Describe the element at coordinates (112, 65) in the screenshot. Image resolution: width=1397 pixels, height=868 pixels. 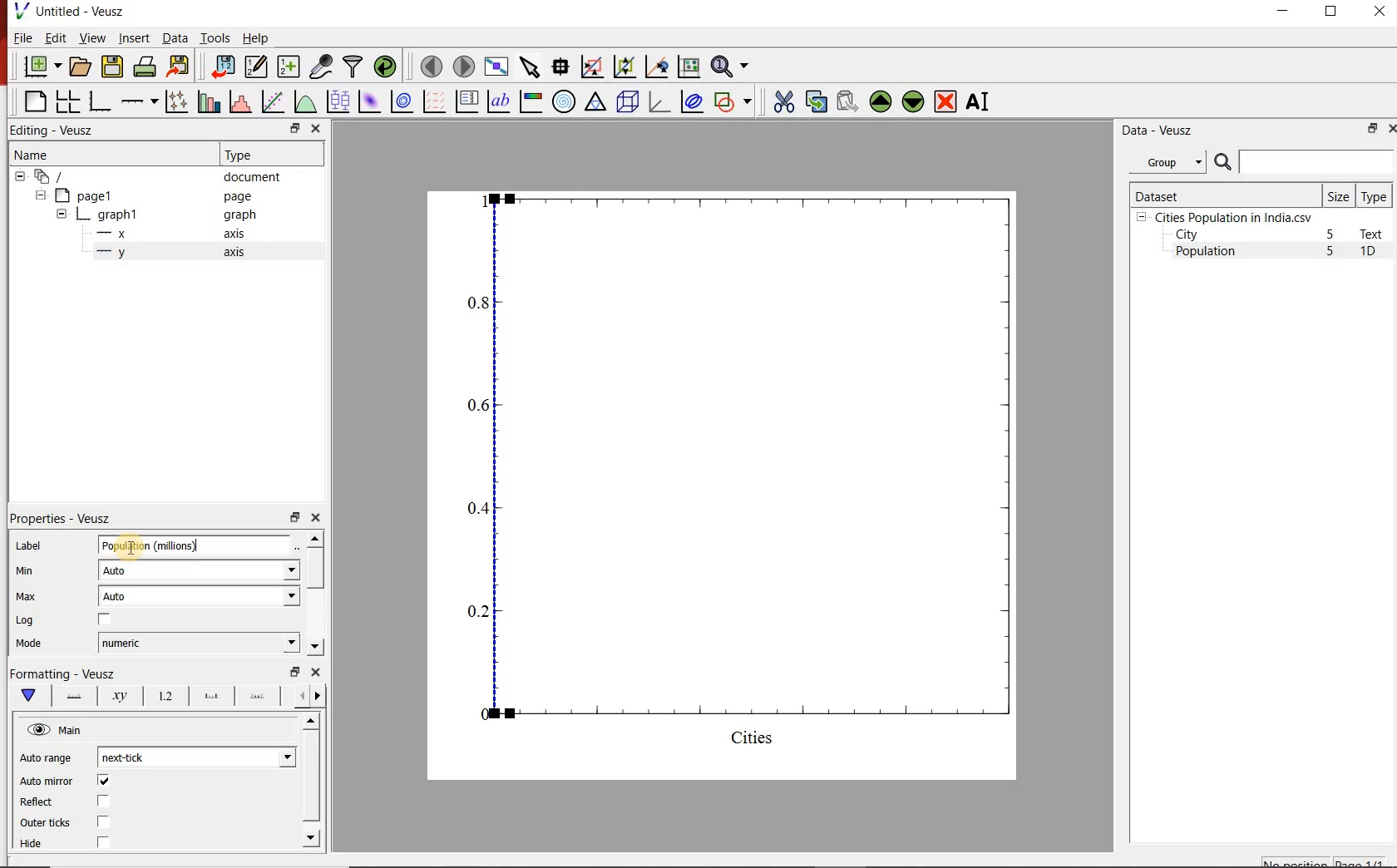
I see `save the document` at that location.